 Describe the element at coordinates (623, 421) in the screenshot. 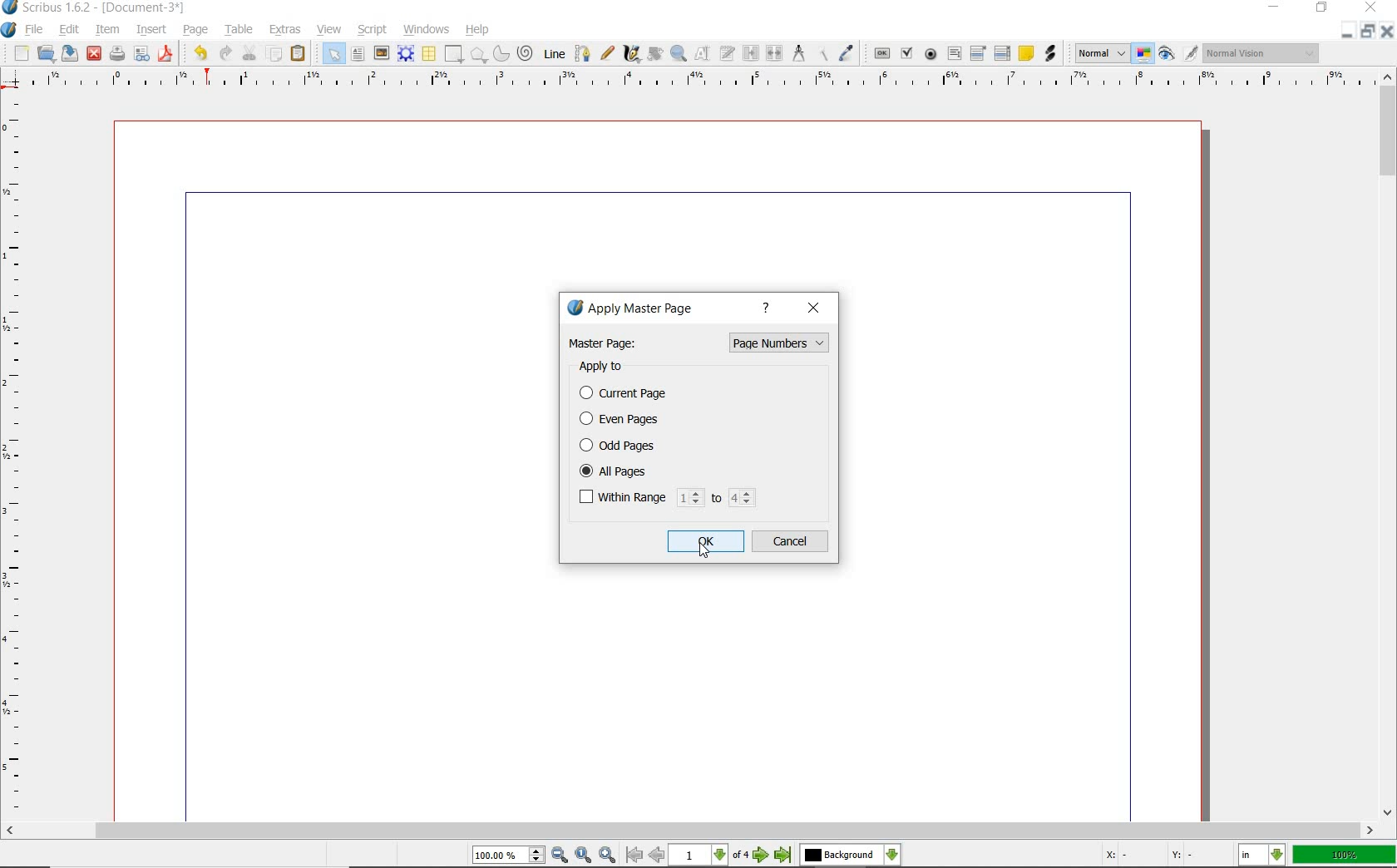

I see `even pages` at that location.